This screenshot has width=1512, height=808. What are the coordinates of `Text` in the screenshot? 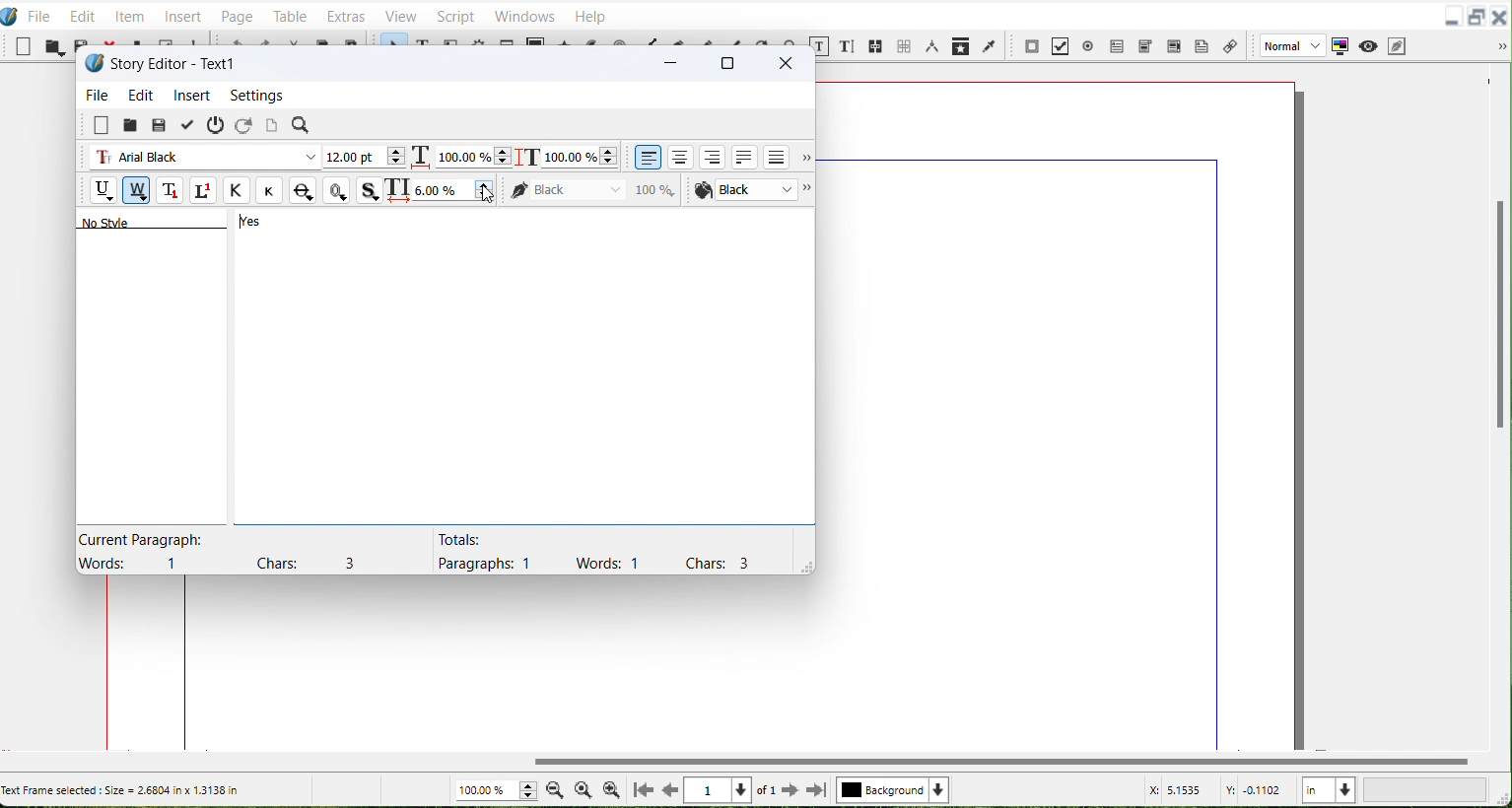 It's located at (447, 552).